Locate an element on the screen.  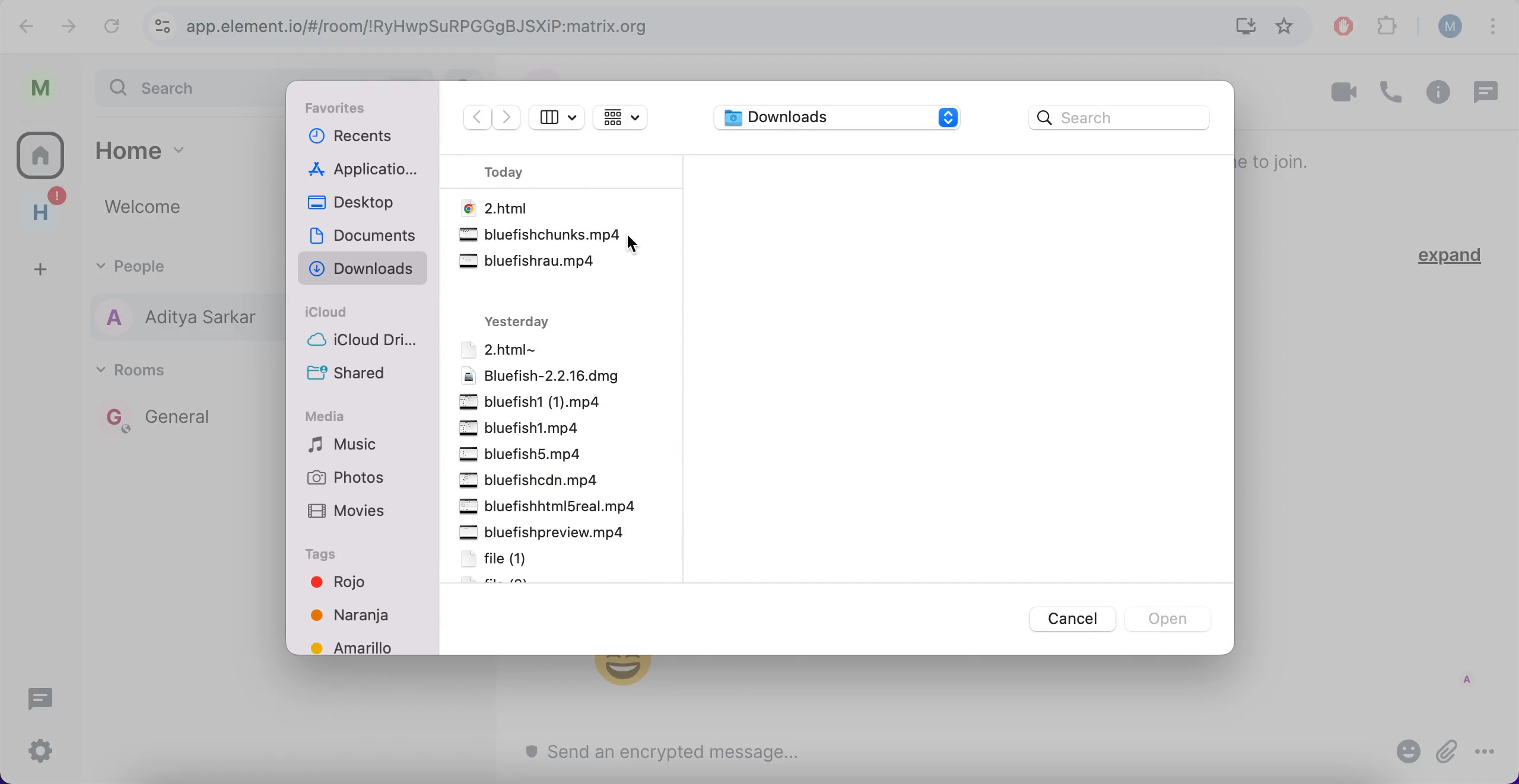
aditya sarkar is located at coordinates (174, 320).